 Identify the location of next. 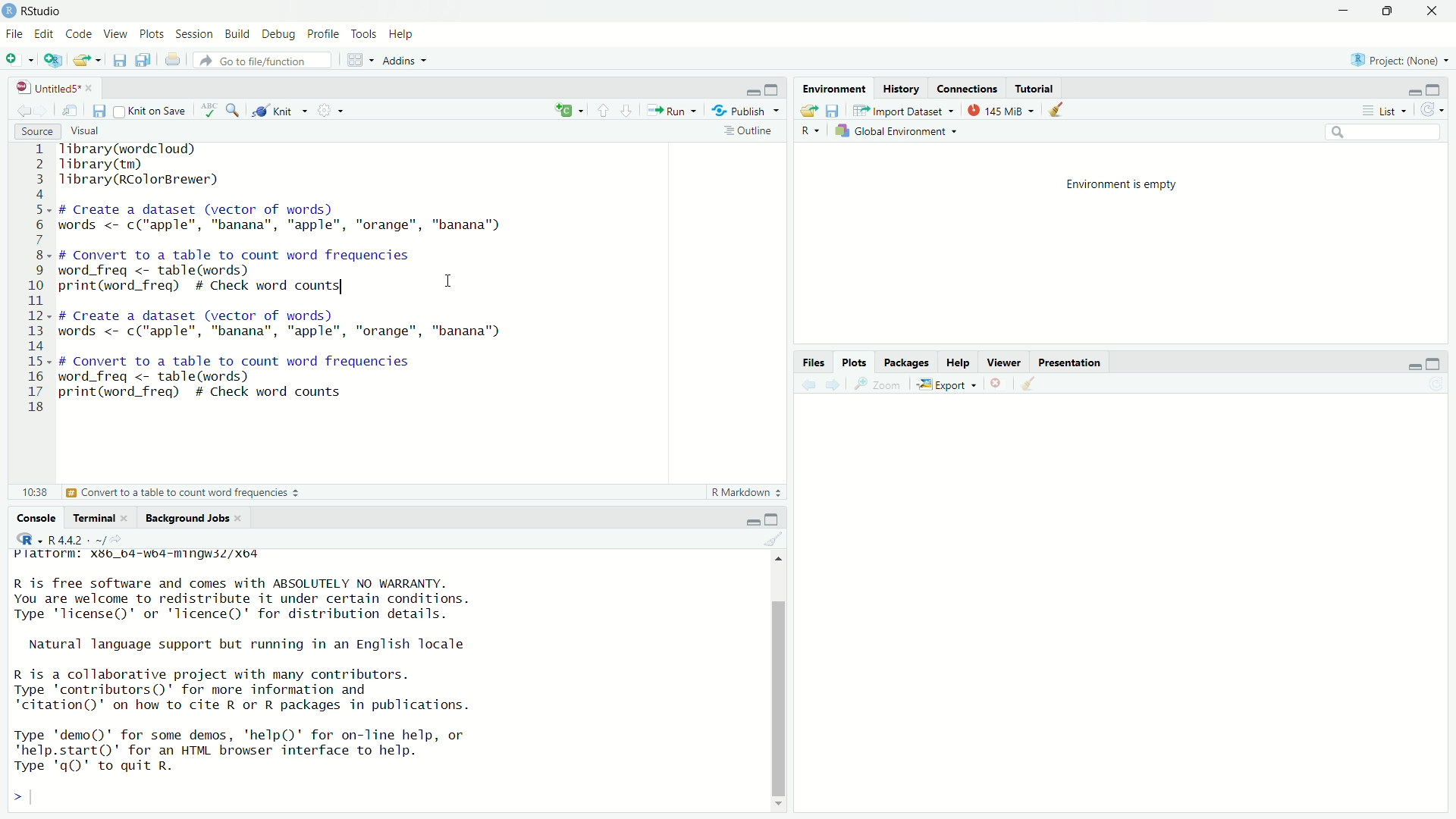
(833, 384).